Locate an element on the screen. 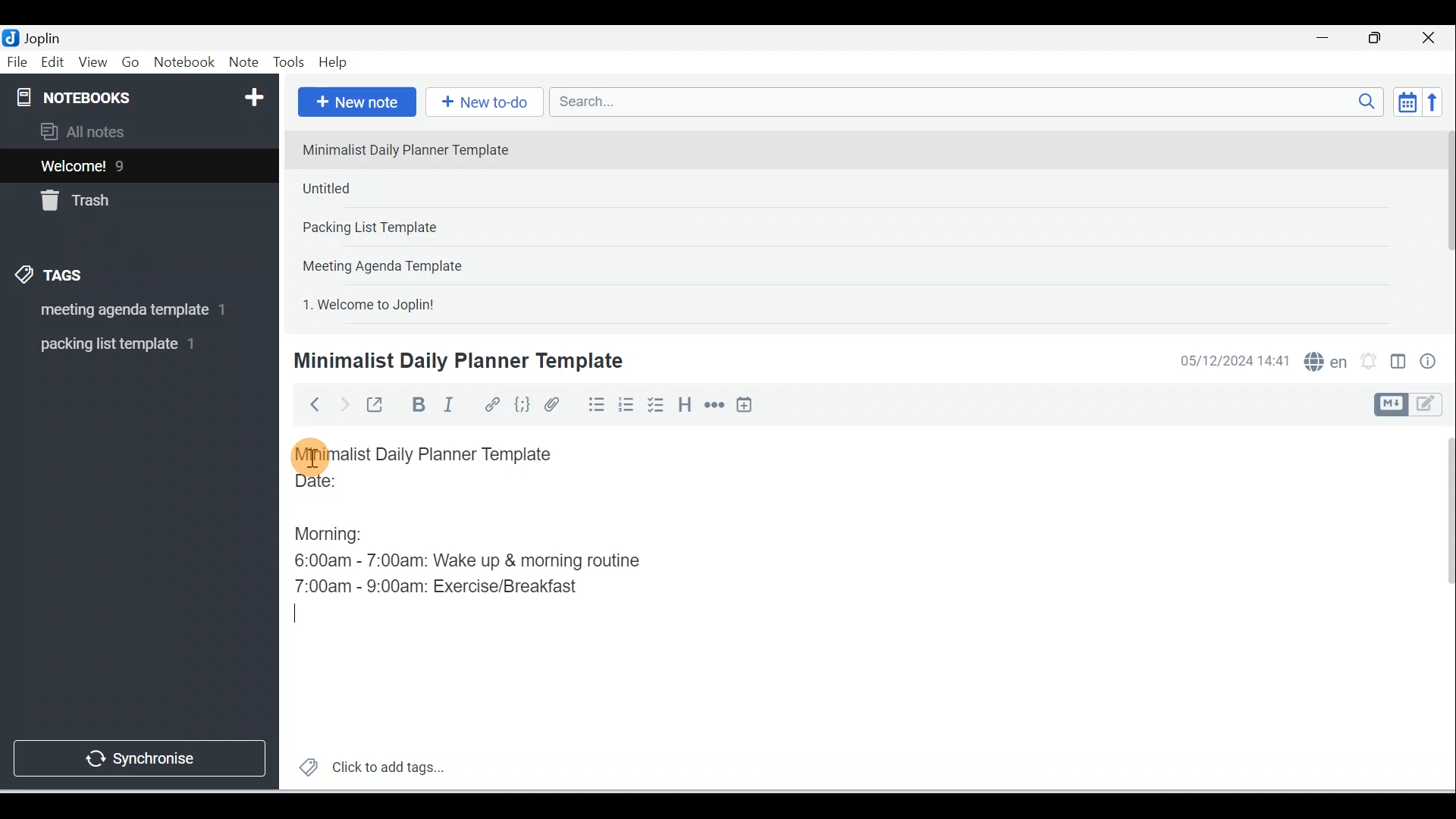 This screenshot has height=819, width=1456. Click to add tags is located at coordinates (366, 765).